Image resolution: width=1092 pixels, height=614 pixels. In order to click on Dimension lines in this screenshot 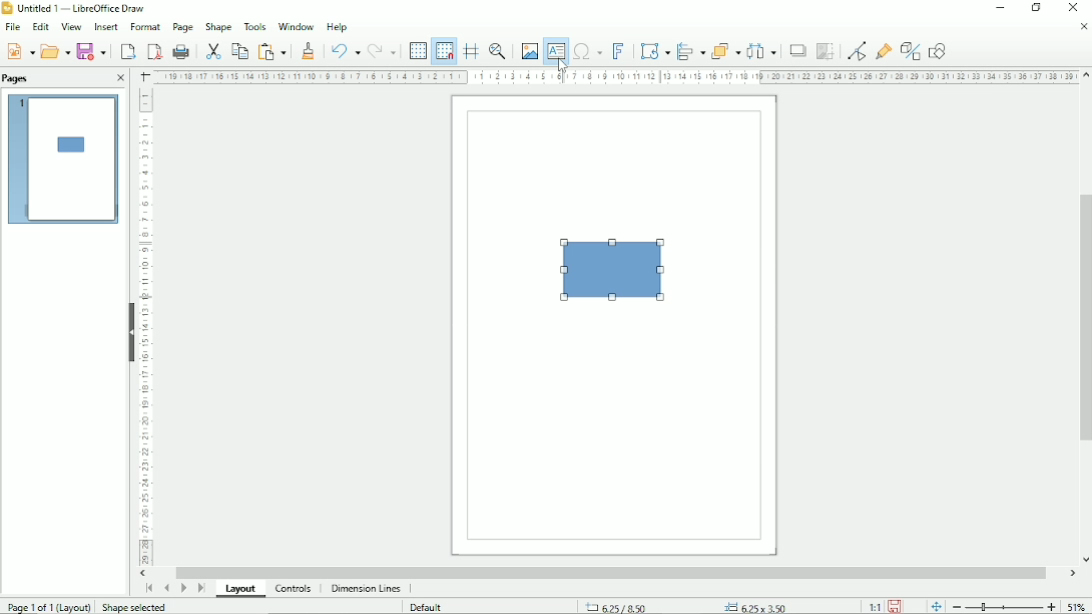, I will do `click(366, 588)`.